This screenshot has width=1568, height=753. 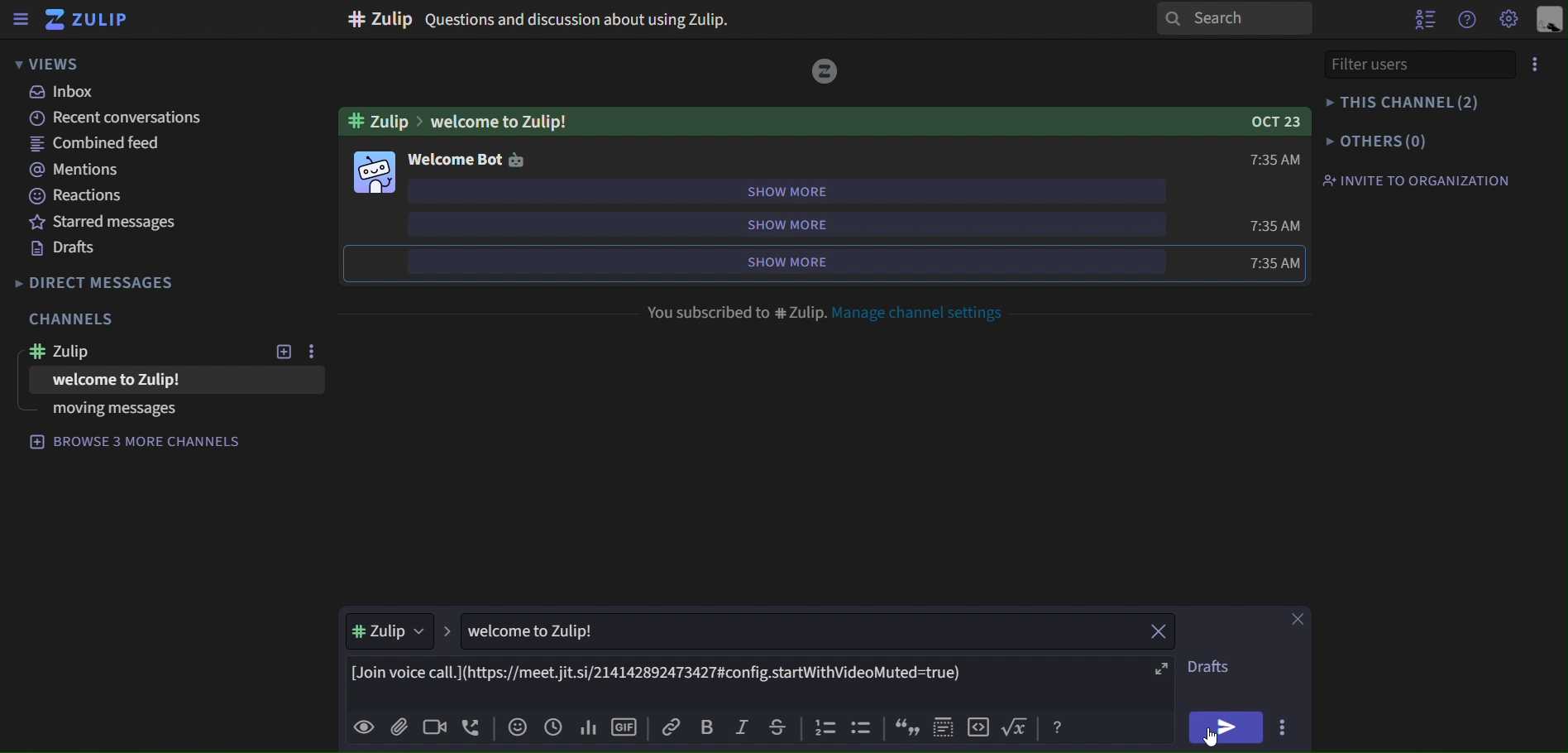 What do you see at coordinates (83, 199) in the screenshot?
I see `reactions` at bounding box center [83, 199].